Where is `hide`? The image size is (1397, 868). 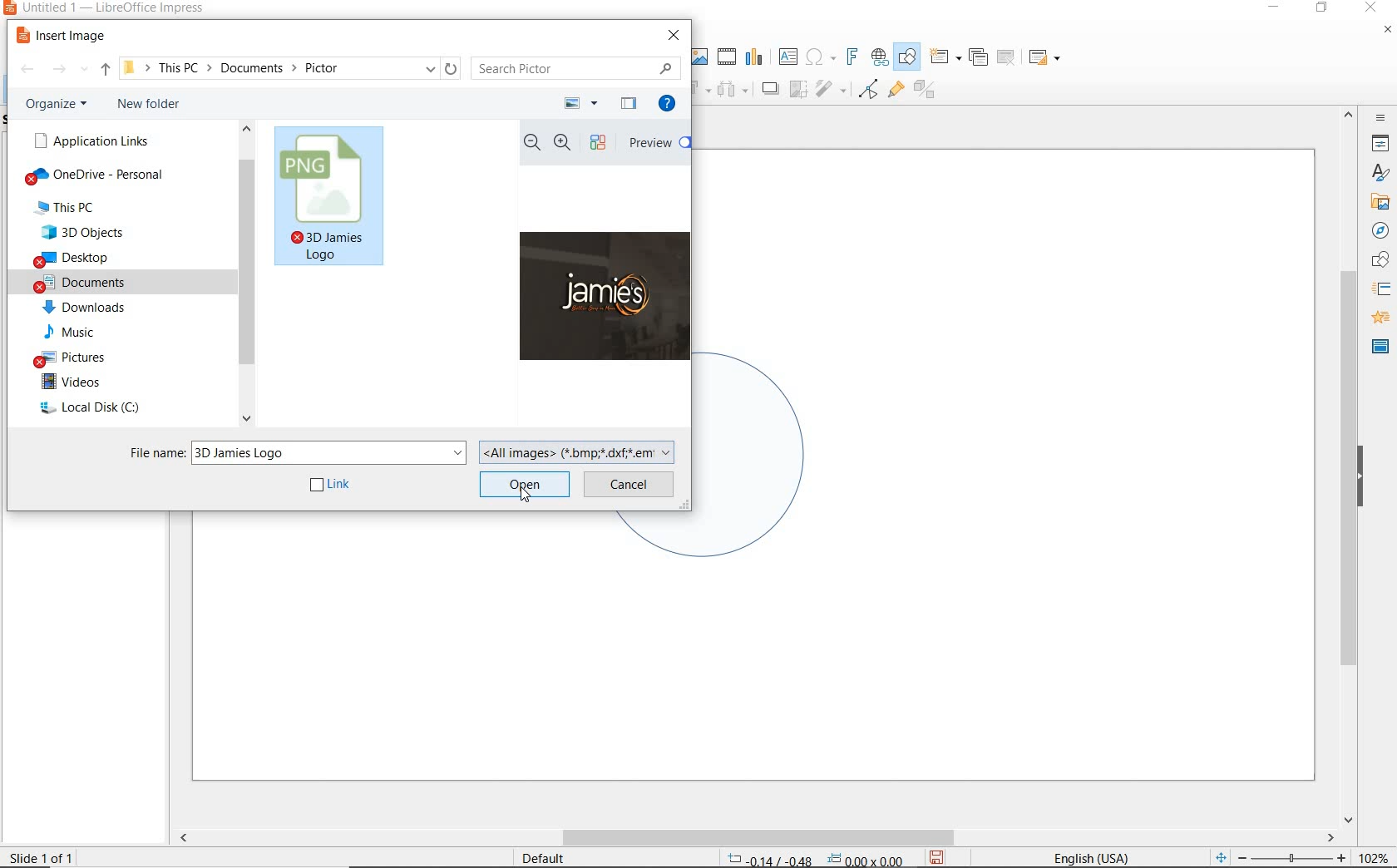 hide is located at coordinates (1360, 478).